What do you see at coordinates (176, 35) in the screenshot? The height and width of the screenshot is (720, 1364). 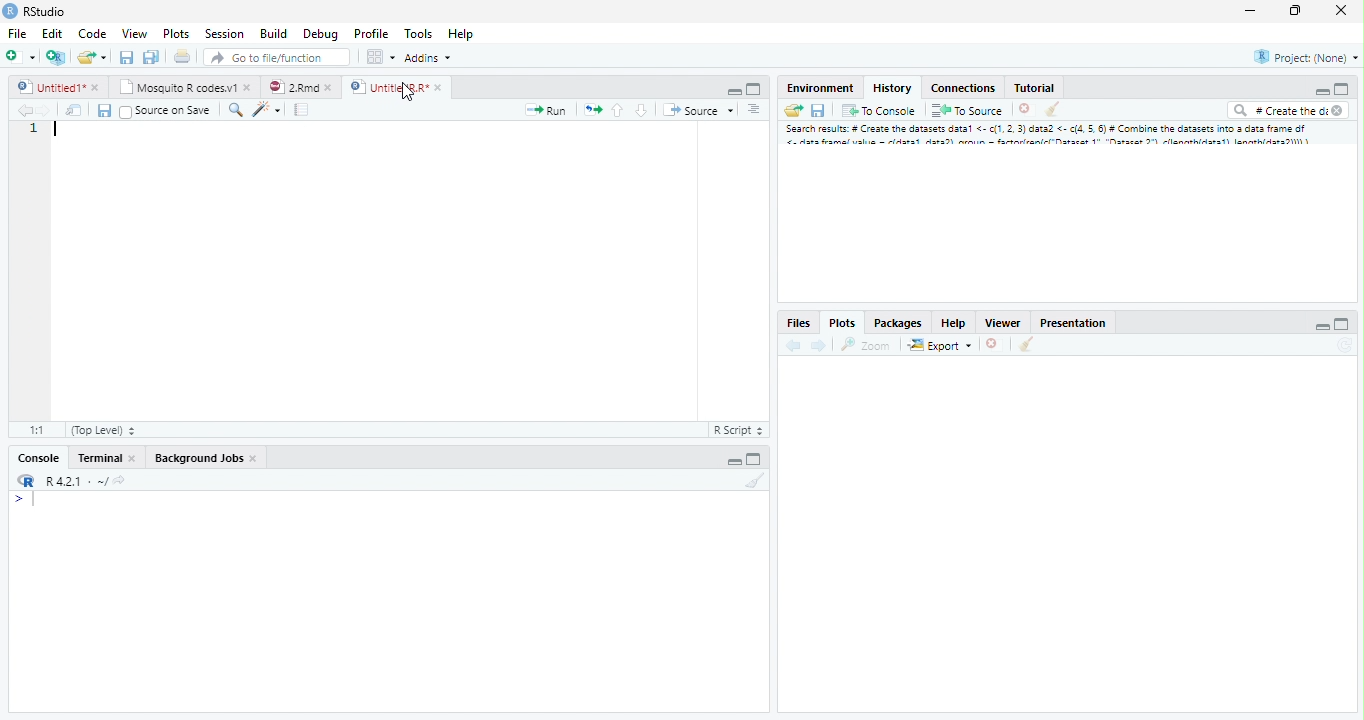 I see `Plots` at bounding box center [176, 35].